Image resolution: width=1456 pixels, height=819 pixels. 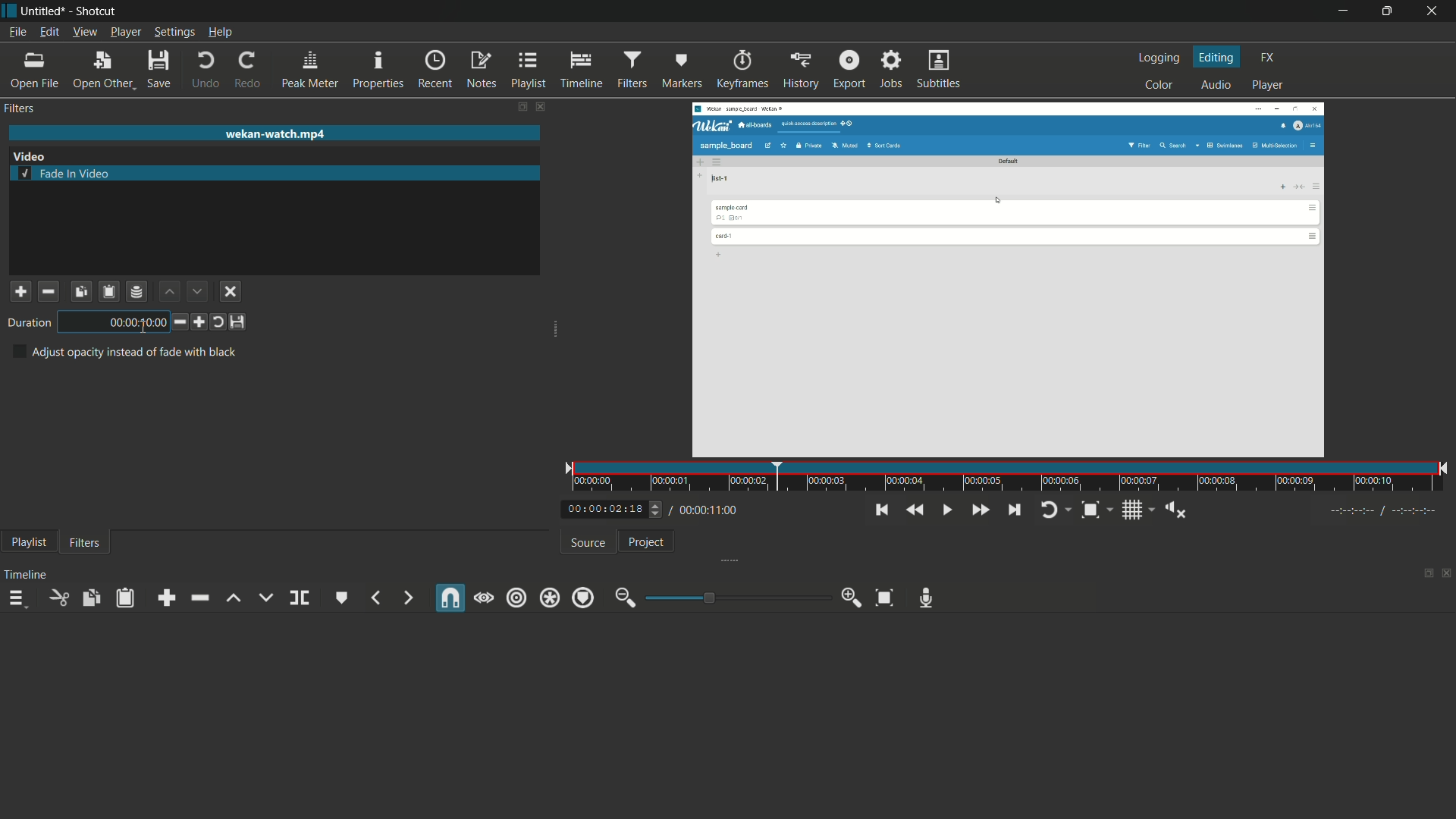 I want to click on next marker, so click(x=404, y=598).